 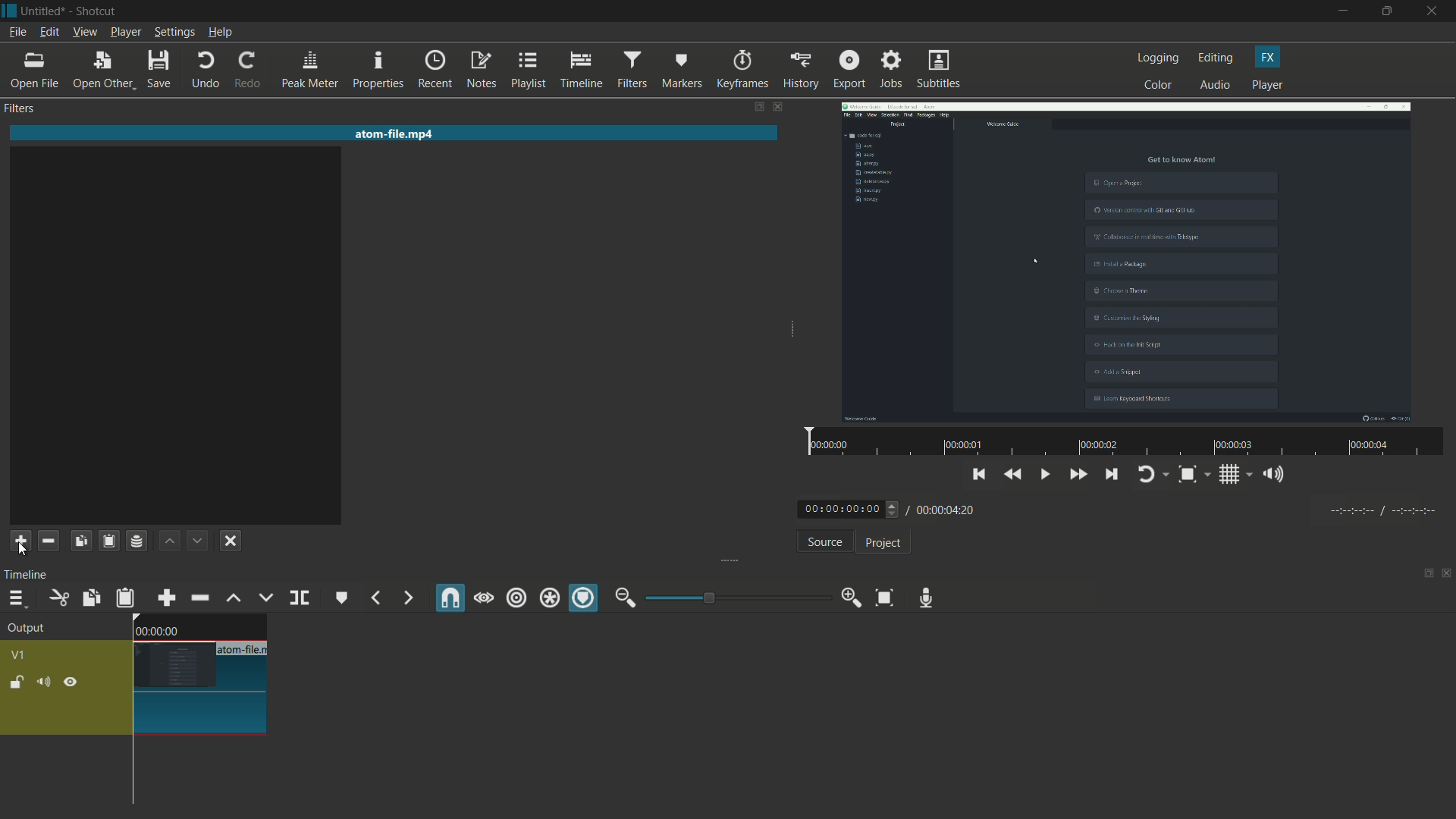 I want to click on add filter, so click(x=19, y=541).